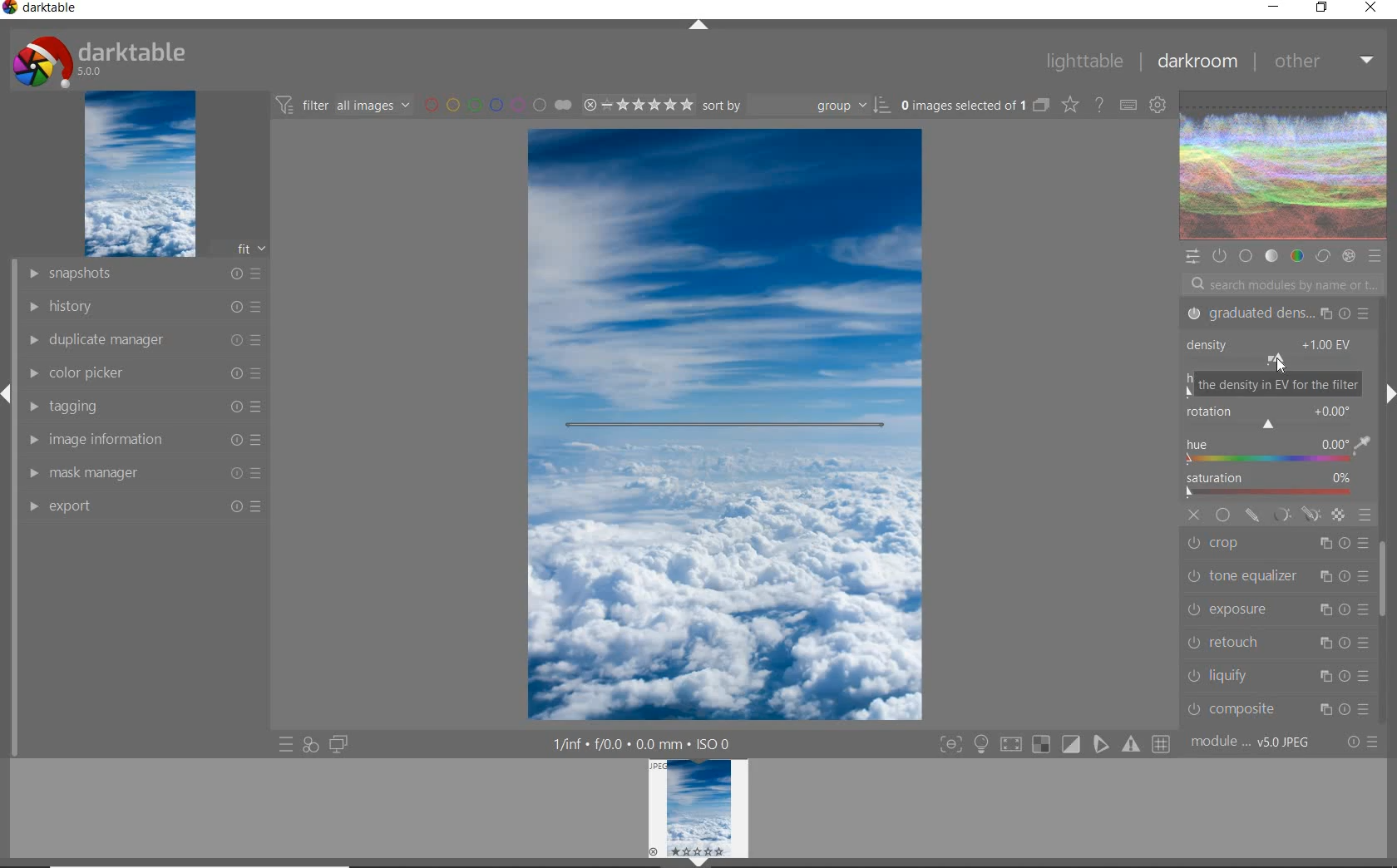 This screenshot has height=868, width=1397. I want to click on BLENDING OPTIONS, so click(1365, 515).